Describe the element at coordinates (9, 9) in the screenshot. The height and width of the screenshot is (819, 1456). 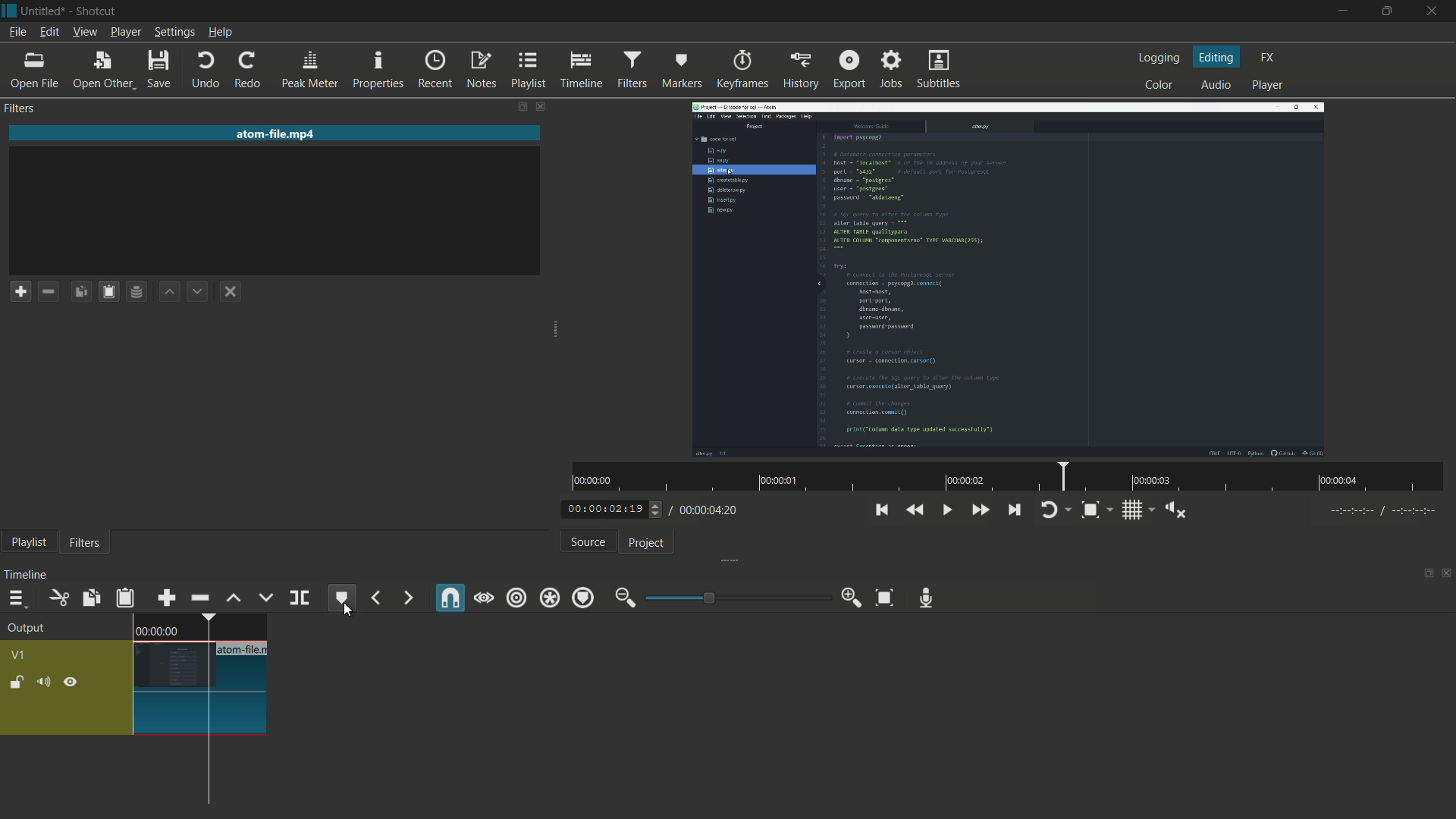
I see `app icon` at that location.